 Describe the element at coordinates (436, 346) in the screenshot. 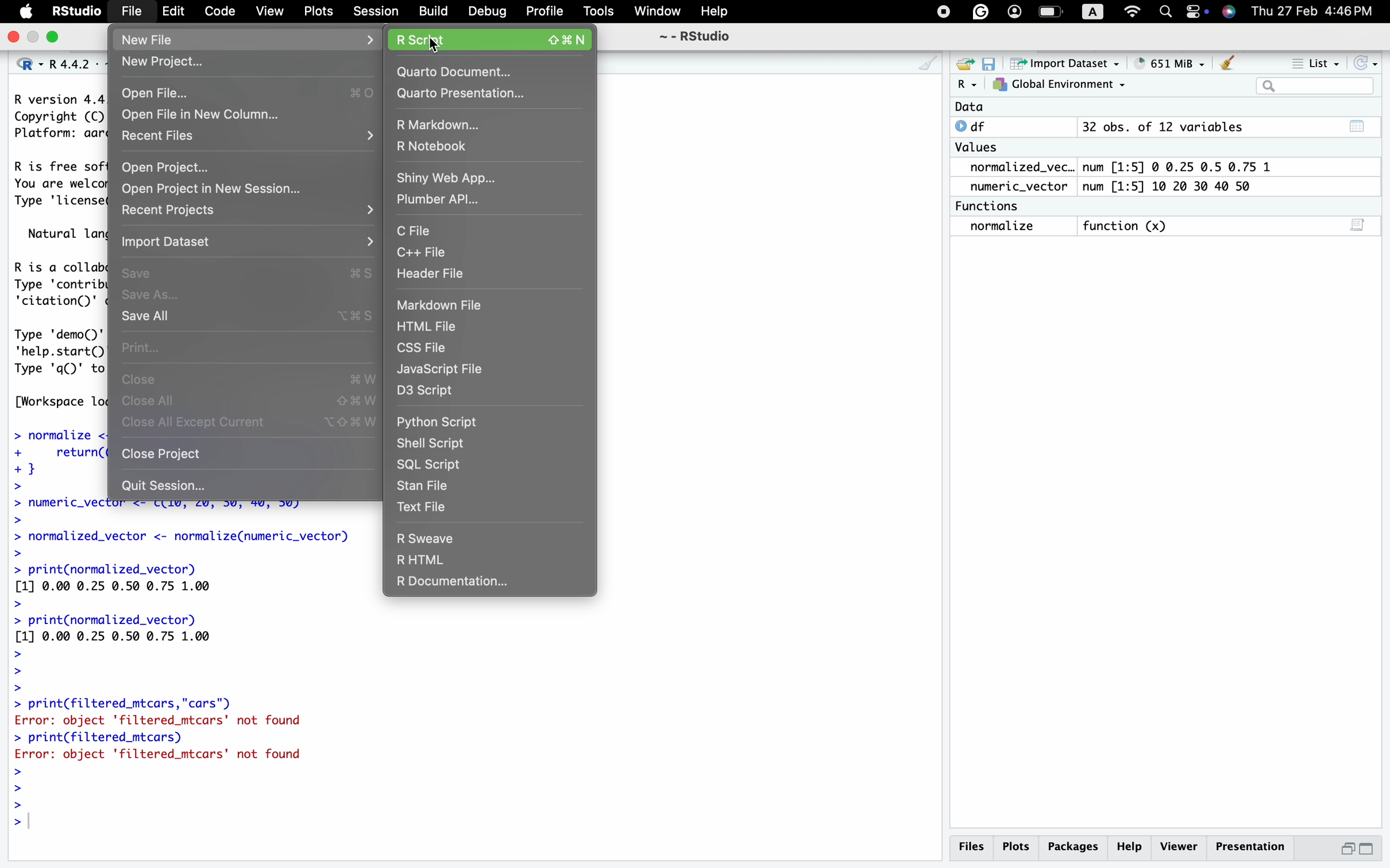

I see `CSS File` at that location.